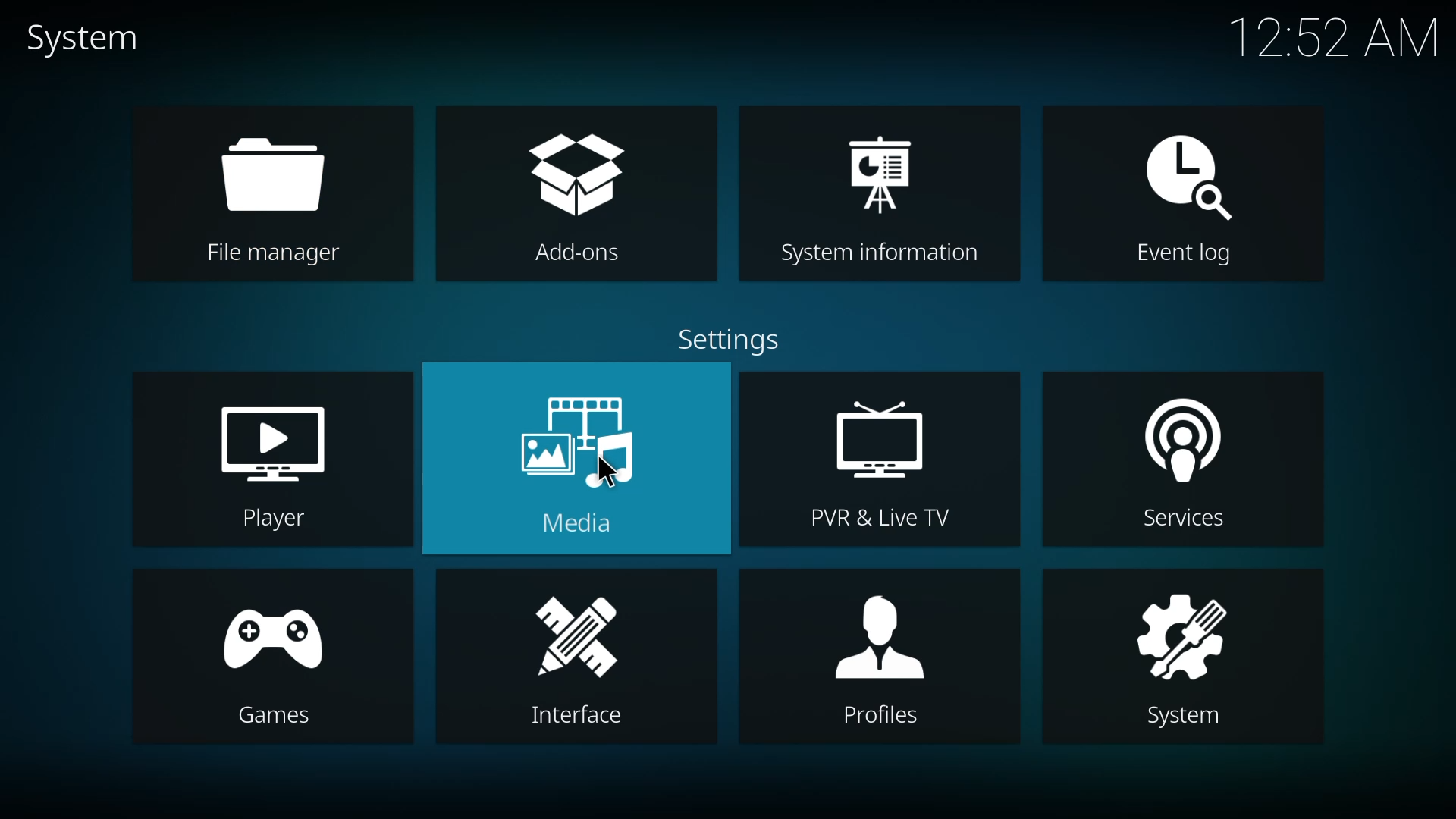 This screenshot has width=1456, height=819. Describe the element at coordinates (881, 439) in the screenshot. I see `pvr & live tv` at that location.